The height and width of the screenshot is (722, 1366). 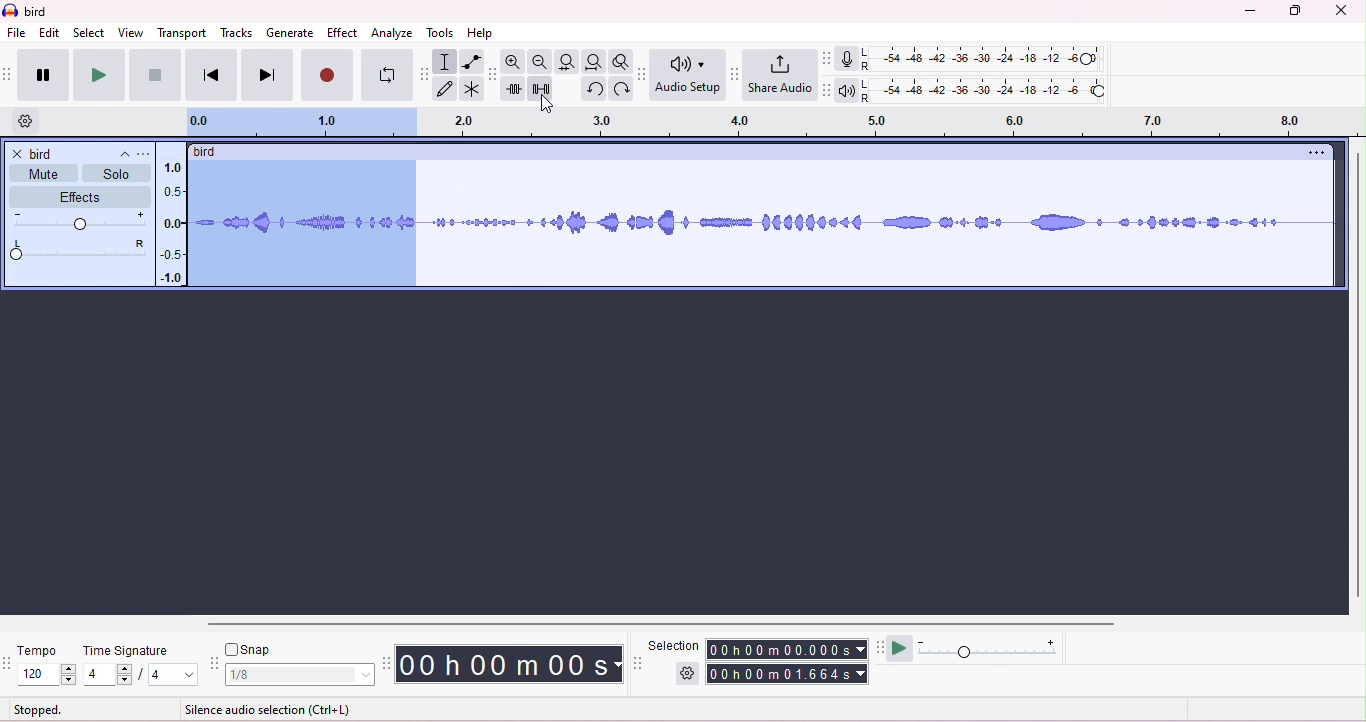 What do you see at coordinates (550, 102) in the screenshot?
I see `cursor movement` at bounding box center [550, 102].